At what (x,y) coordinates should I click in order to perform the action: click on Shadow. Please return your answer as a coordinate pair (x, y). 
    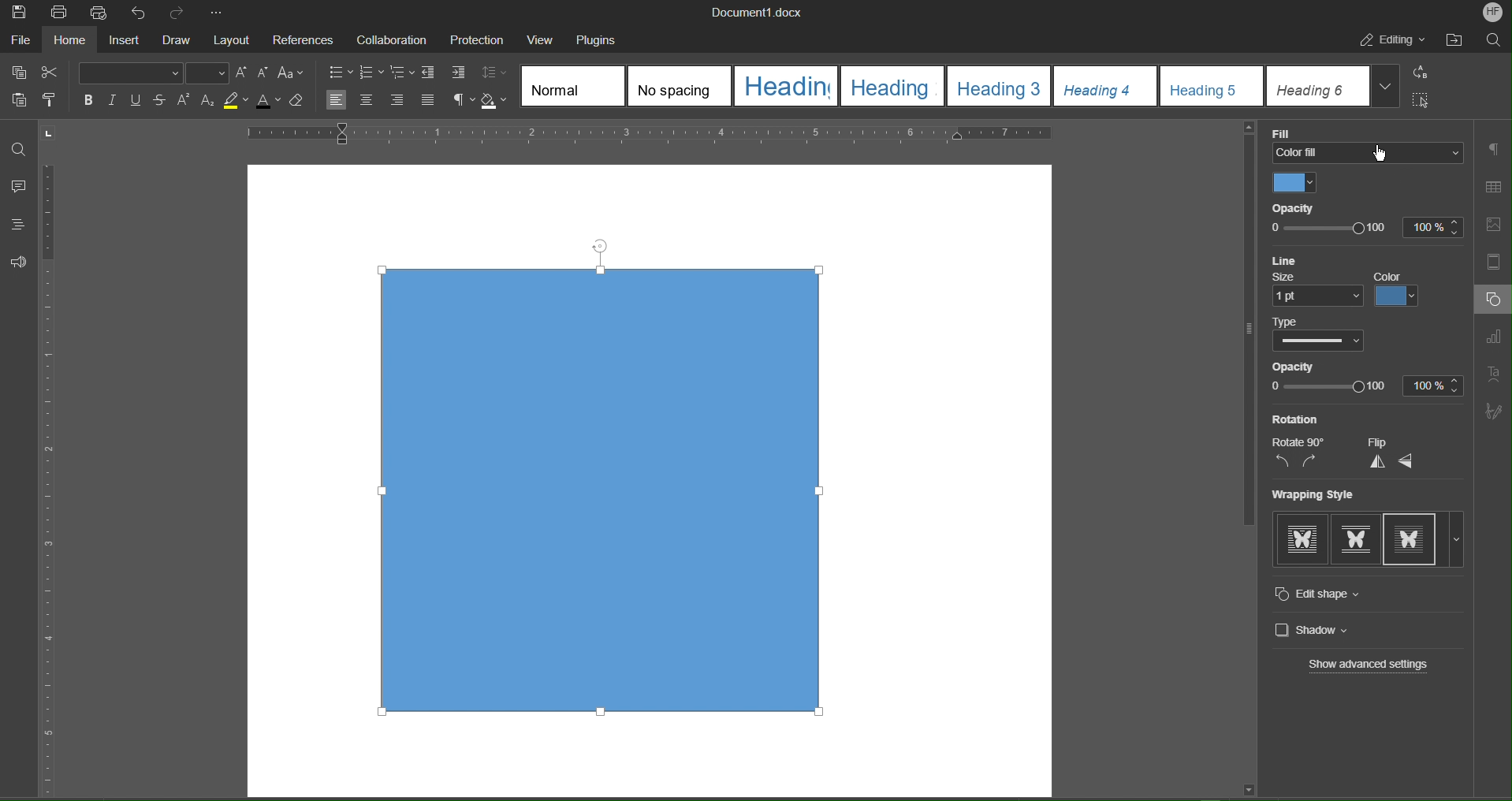
    Looking at the image, I should click on (1318, 631).